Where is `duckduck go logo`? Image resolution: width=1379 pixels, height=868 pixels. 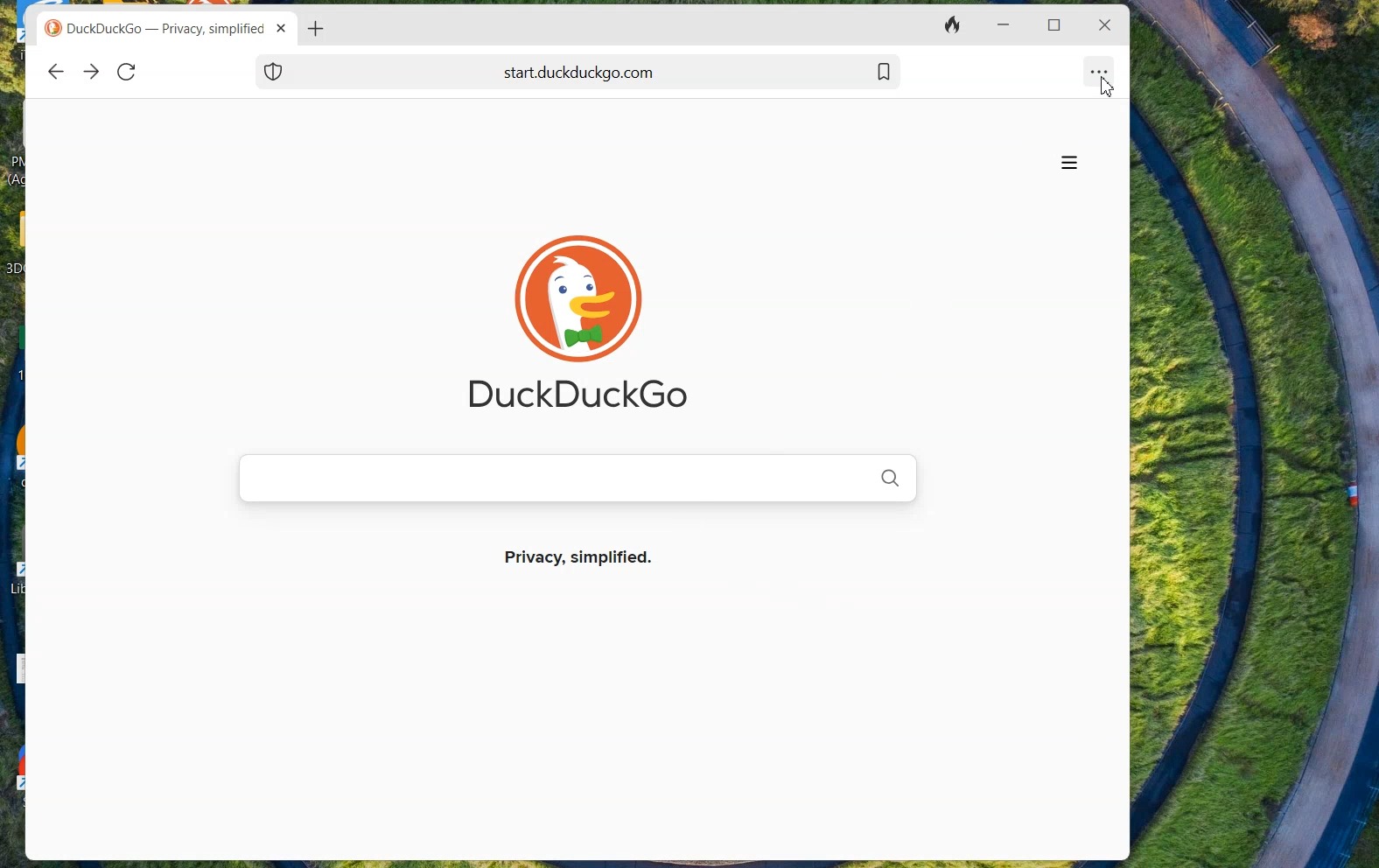 duckduck go logo is located at coordinates (53, 29).